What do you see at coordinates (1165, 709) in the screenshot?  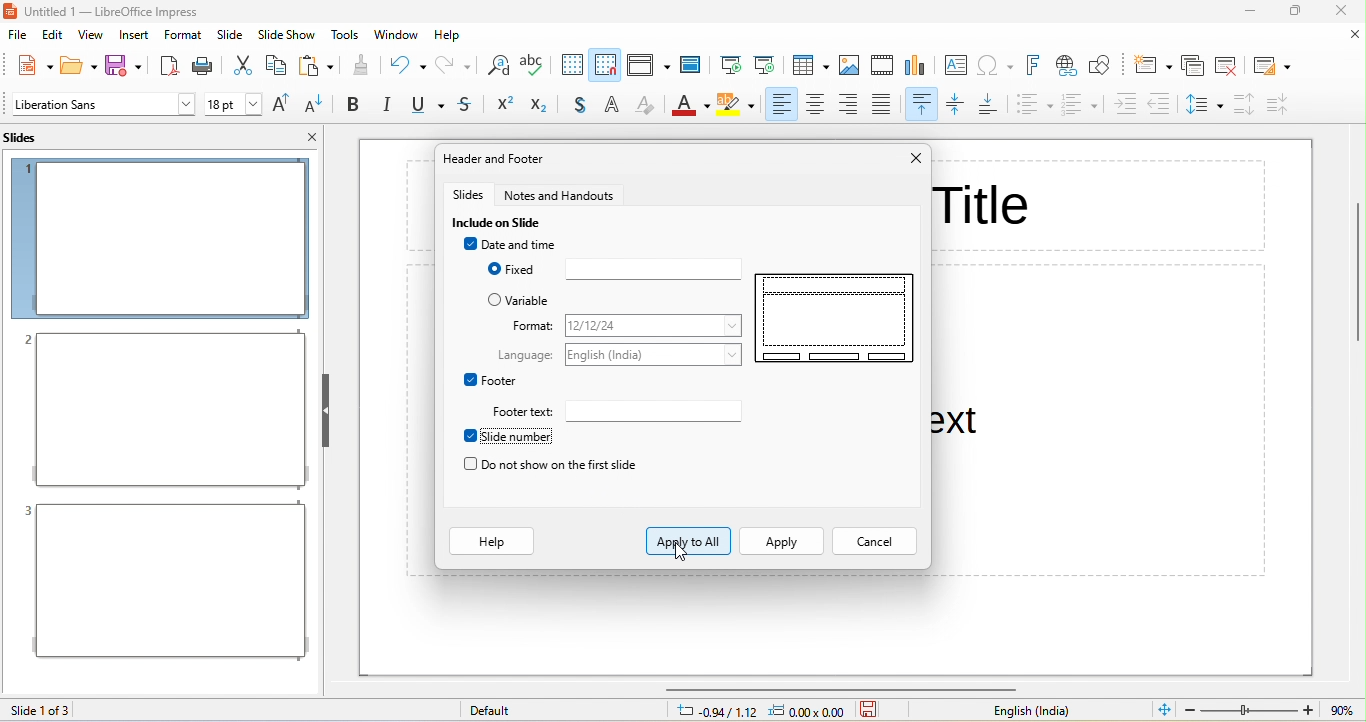 I see `fit slide to current window` at bounding box center [1165, 709].